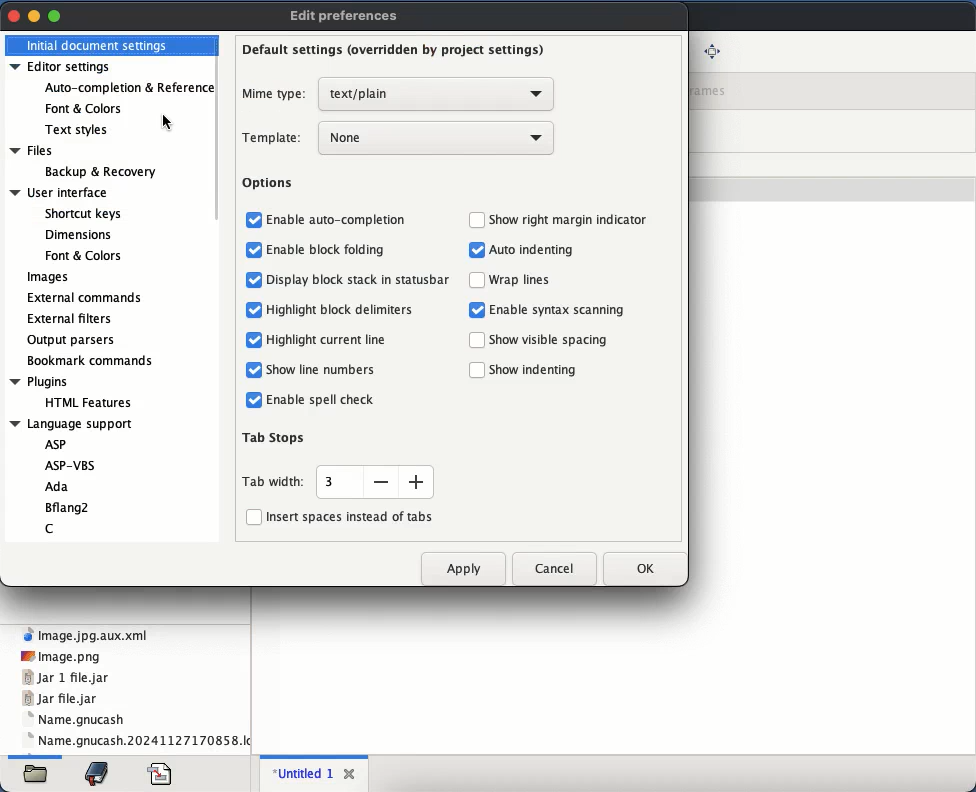 The height and width of the screenshot is (792, 976). What do you see at coordinates (553, 342) in the screenshot?
I see `‘Show visible spacing` at bounding box center [553, 342].